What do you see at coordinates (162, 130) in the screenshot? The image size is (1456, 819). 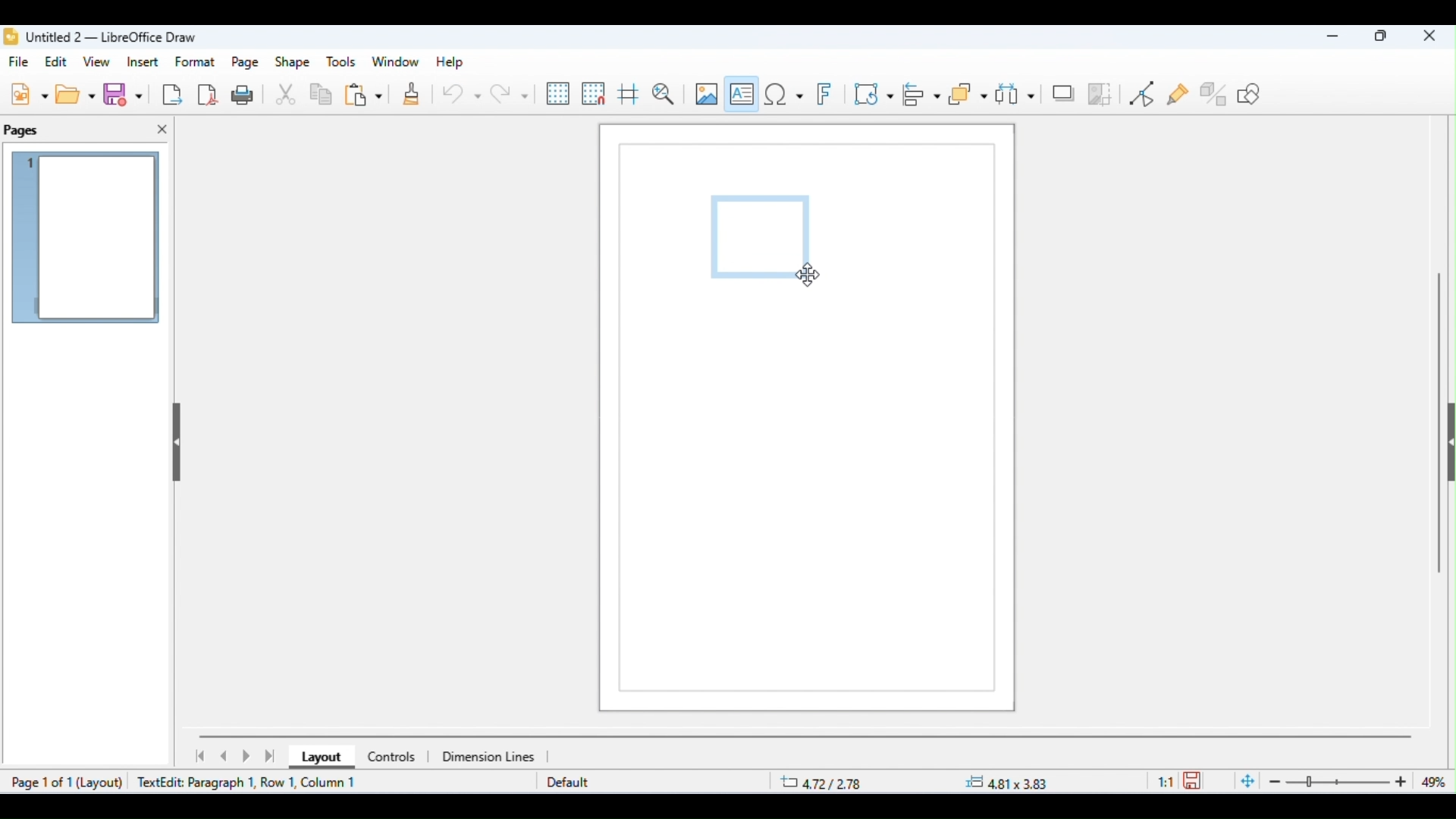 I see `close` at bounding box center [162, 130].